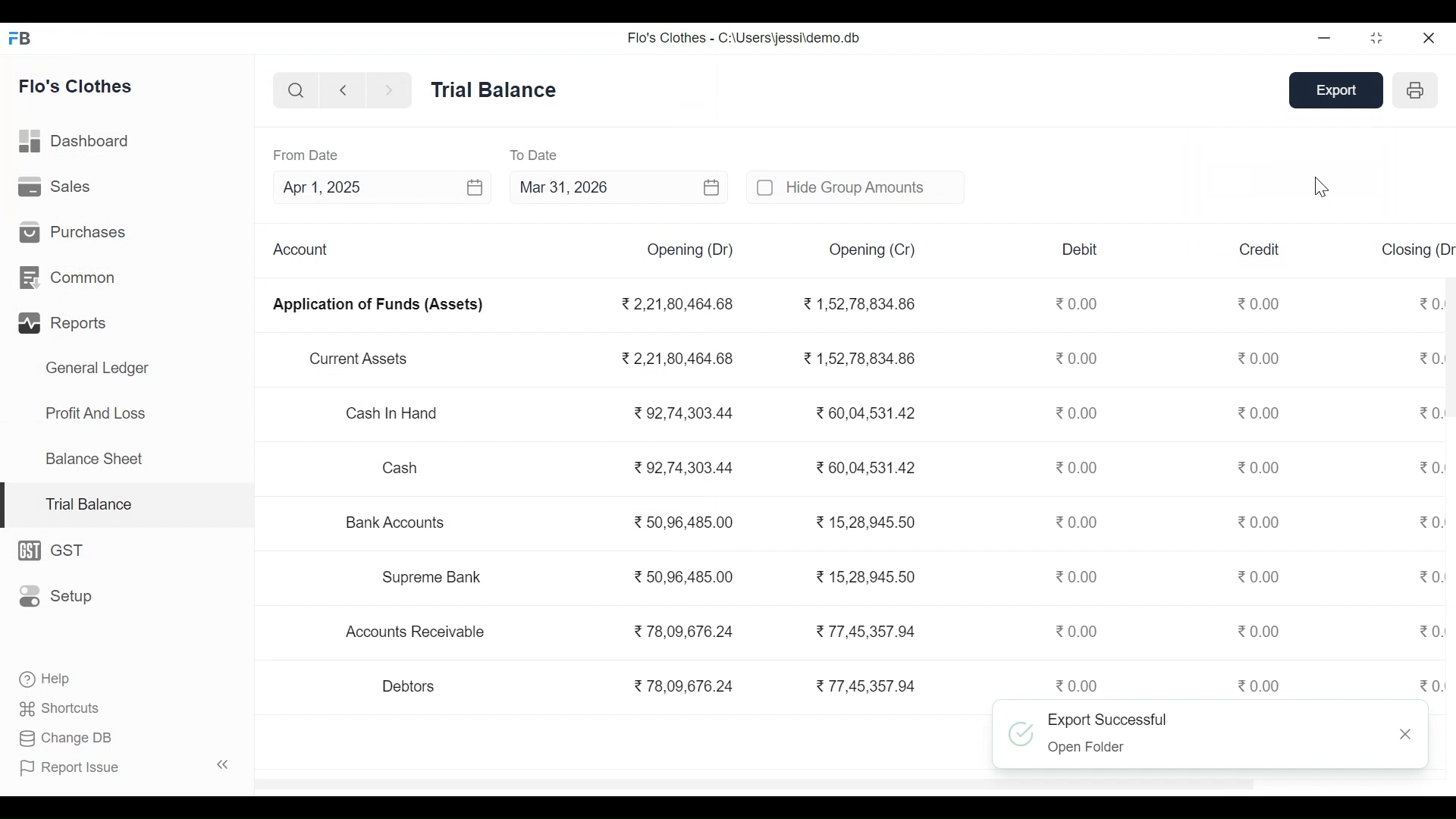  I want to click on 0.00, so click(1260, 302).